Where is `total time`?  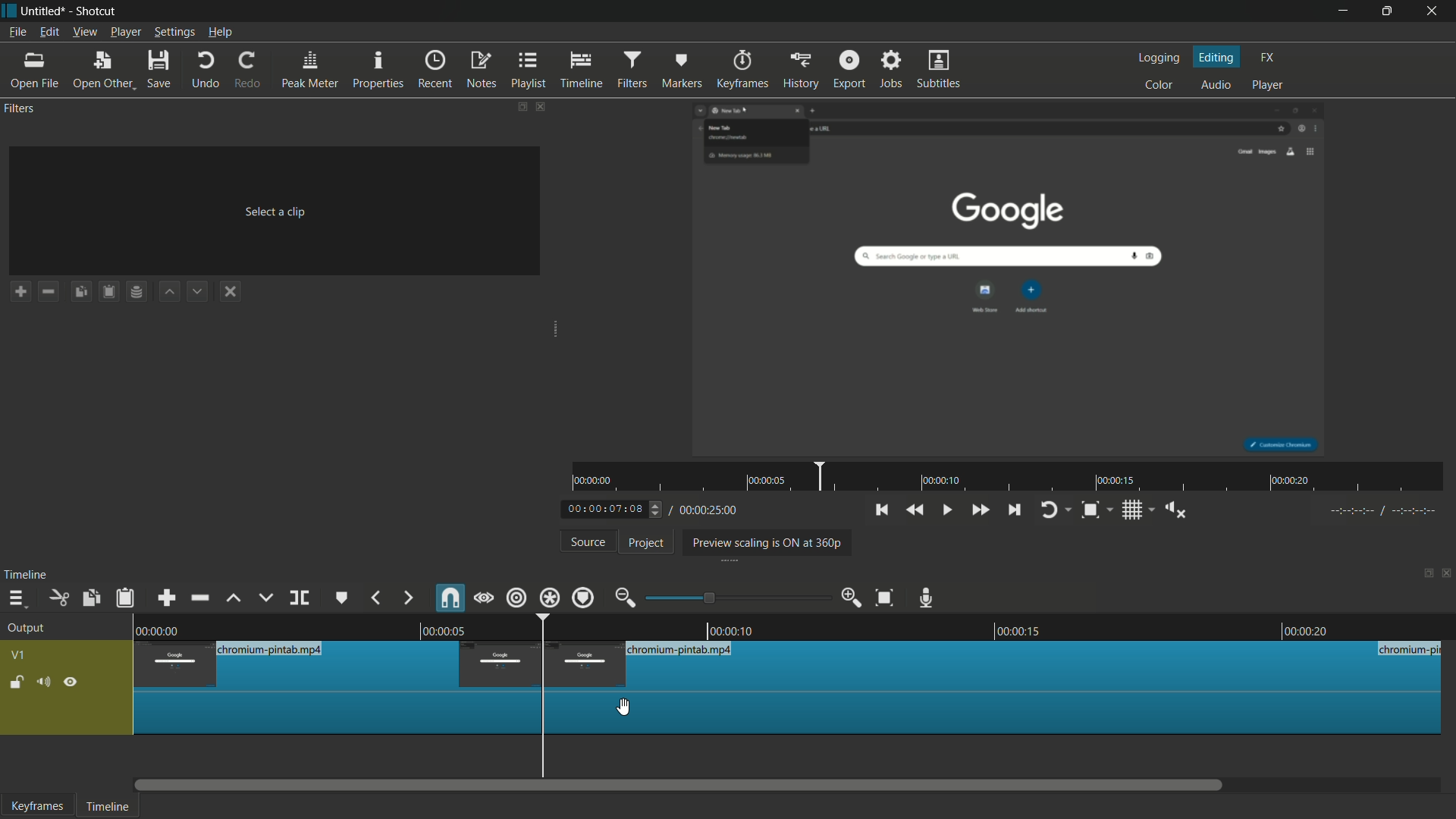 total time is located at coordinates (707, 510).